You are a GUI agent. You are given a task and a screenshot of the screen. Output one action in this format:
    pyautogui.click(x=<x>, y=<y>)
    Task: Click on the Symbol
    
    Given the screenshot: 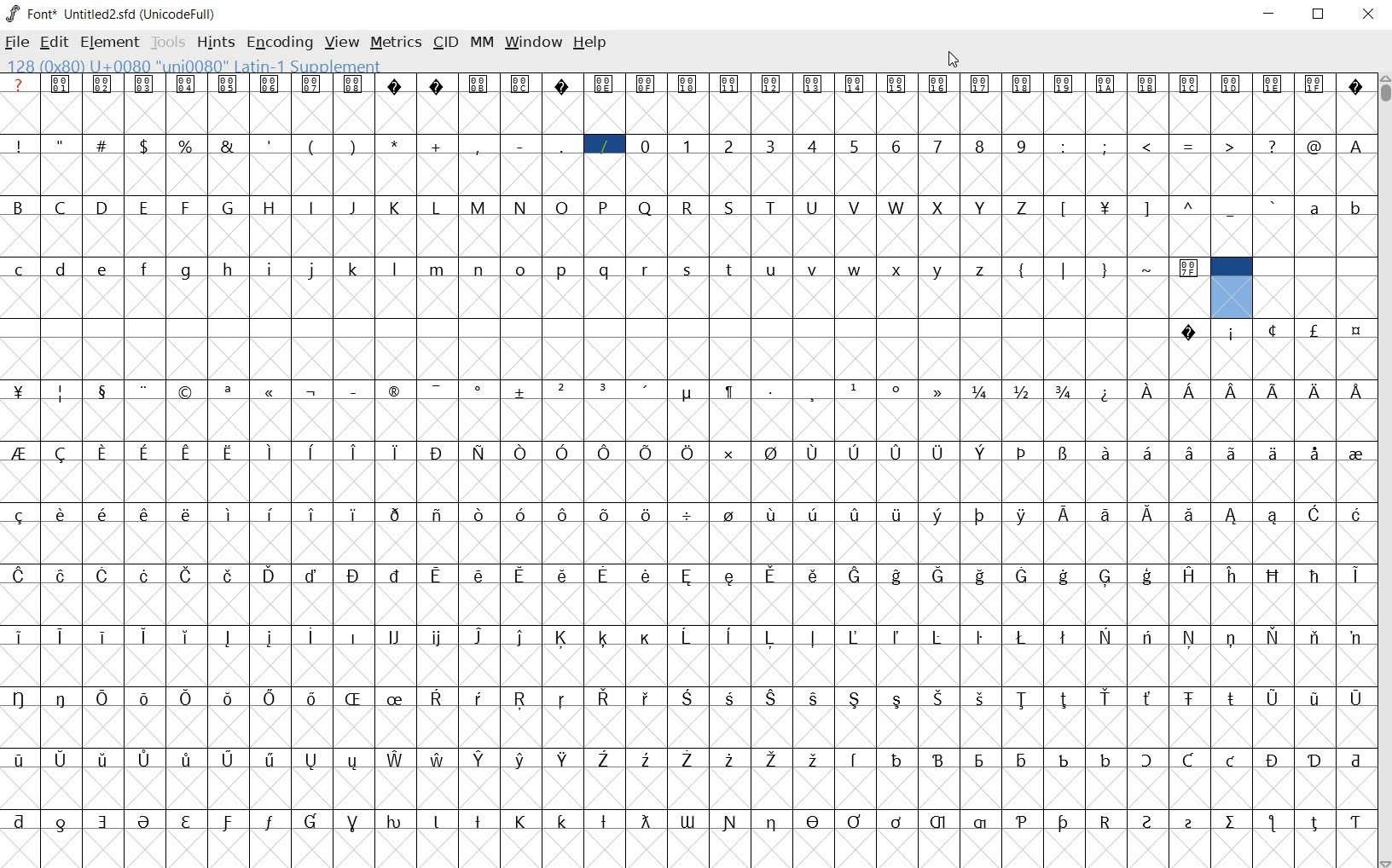 What is the action you would take?
    pyautogui.click(x=229, y=820)
    